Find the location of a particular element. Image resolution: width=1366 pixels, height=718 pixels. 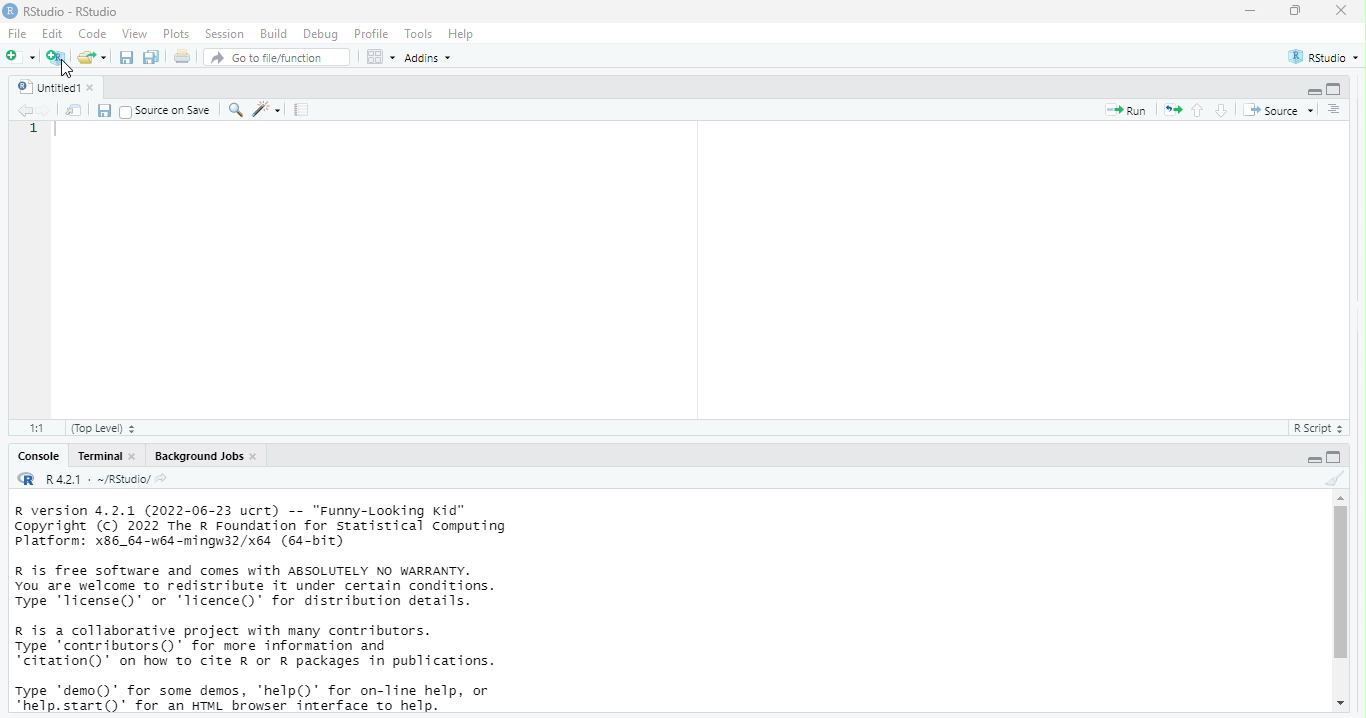

source on save is located at coordinates (164, 111).